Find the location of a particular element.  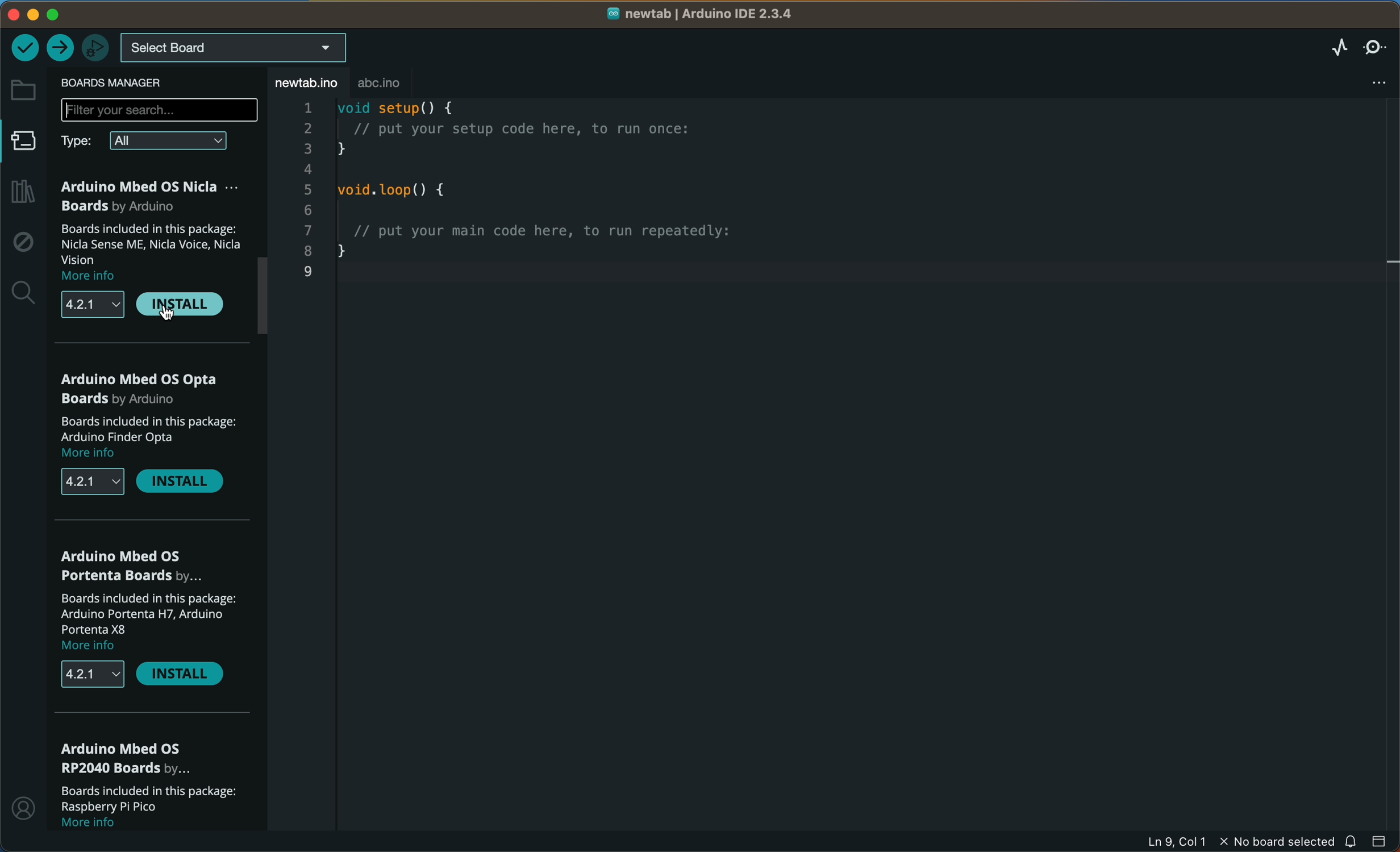

debug is located at coordinates (23, 244).